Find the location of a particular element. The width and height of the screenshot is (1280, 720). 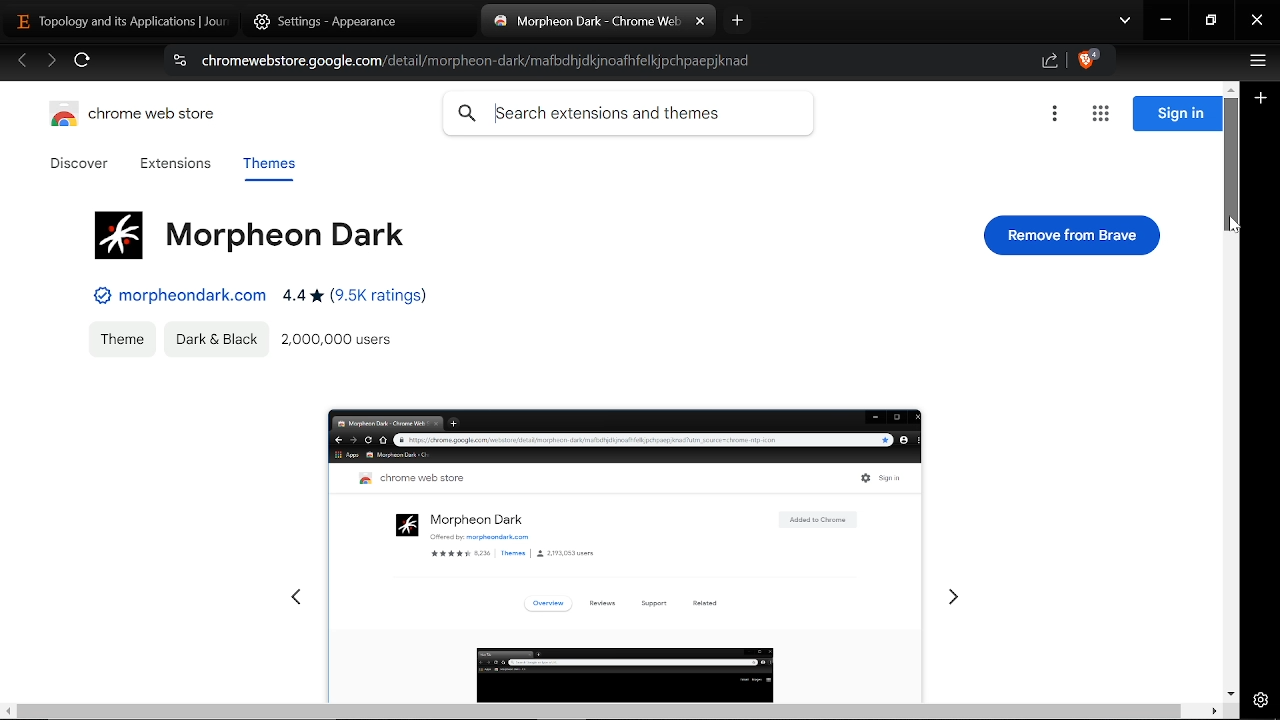

Extensions is located at coordinates (175, 165).